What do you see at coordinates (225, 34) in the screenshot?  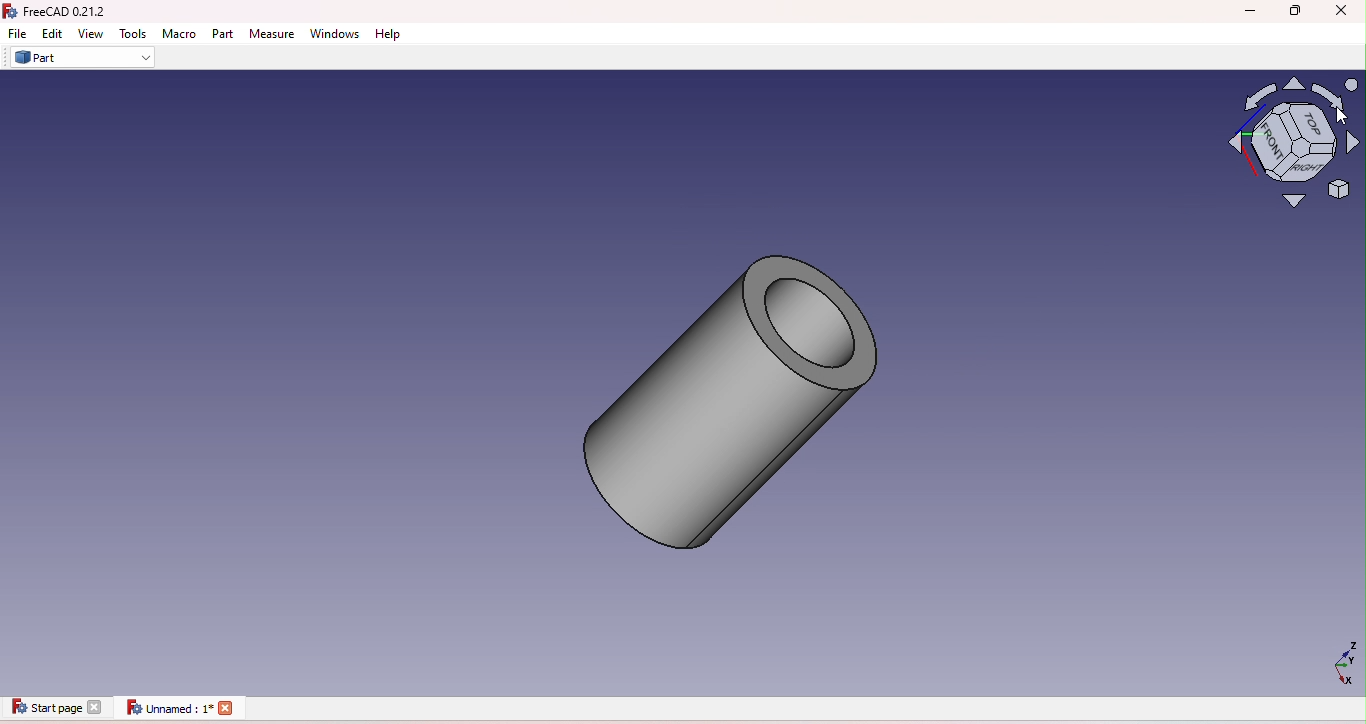 I see `Part` at bounding box center [225, 34].